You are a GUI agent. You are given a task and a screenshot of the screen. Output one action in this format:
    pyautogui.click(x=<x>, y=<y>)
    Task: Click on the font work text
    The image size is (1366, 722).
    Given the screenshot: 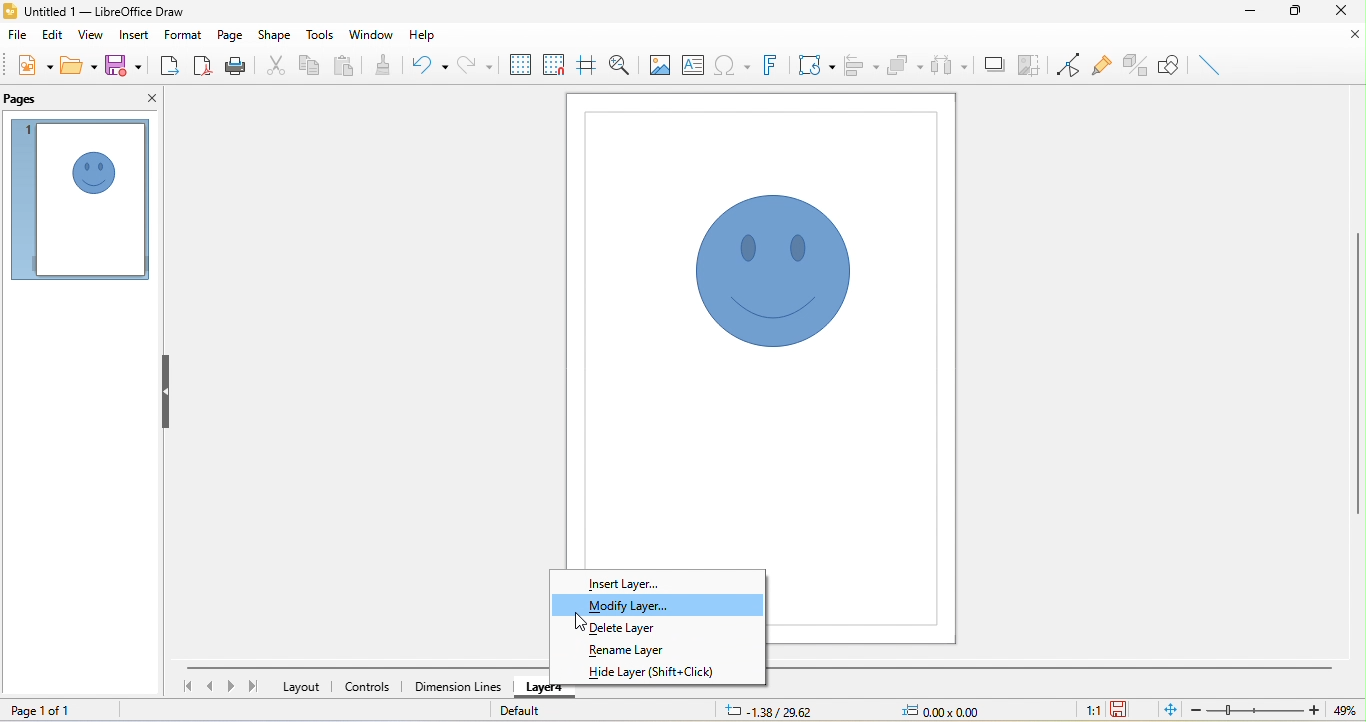 What is the action you would take?
    pyautogui.click(x=772, y=63)
    